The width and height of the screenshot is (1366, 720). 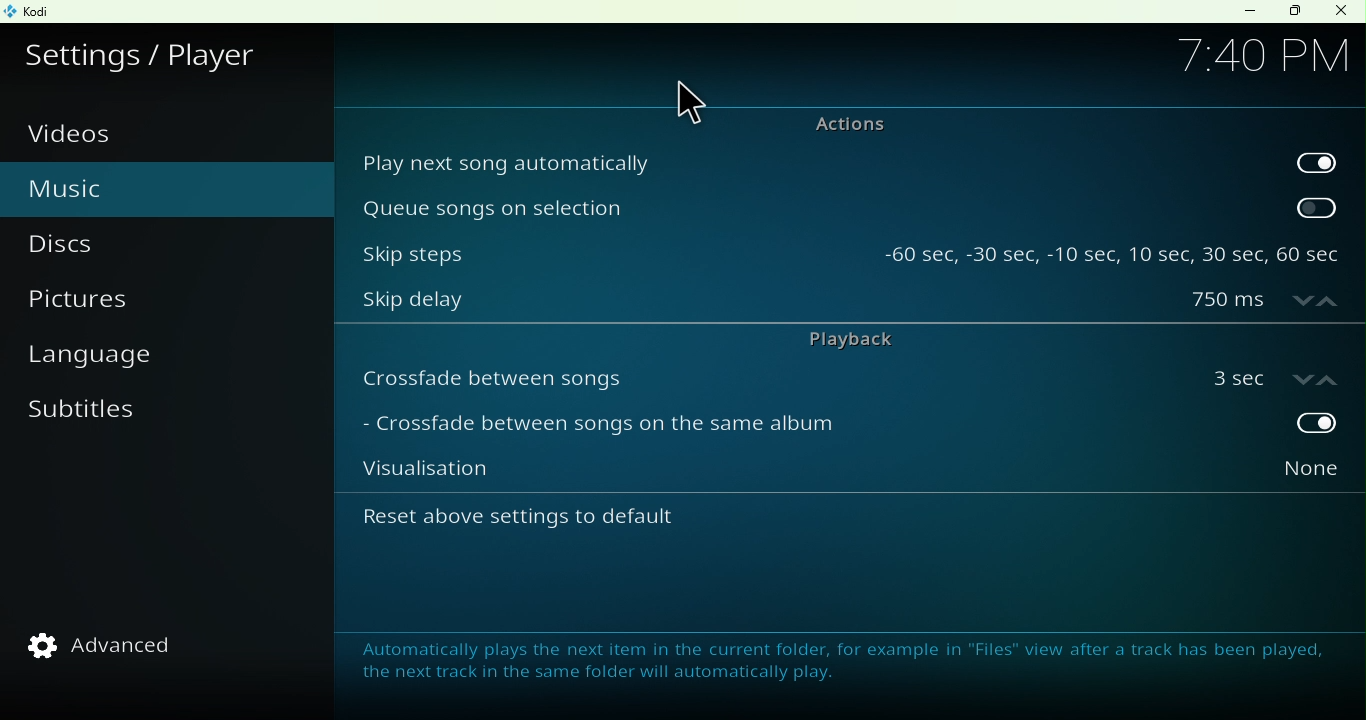 What do you see at coordinates (1262, 53) in the screenshot?
I see `Time` at bounding box center [1262, 53].